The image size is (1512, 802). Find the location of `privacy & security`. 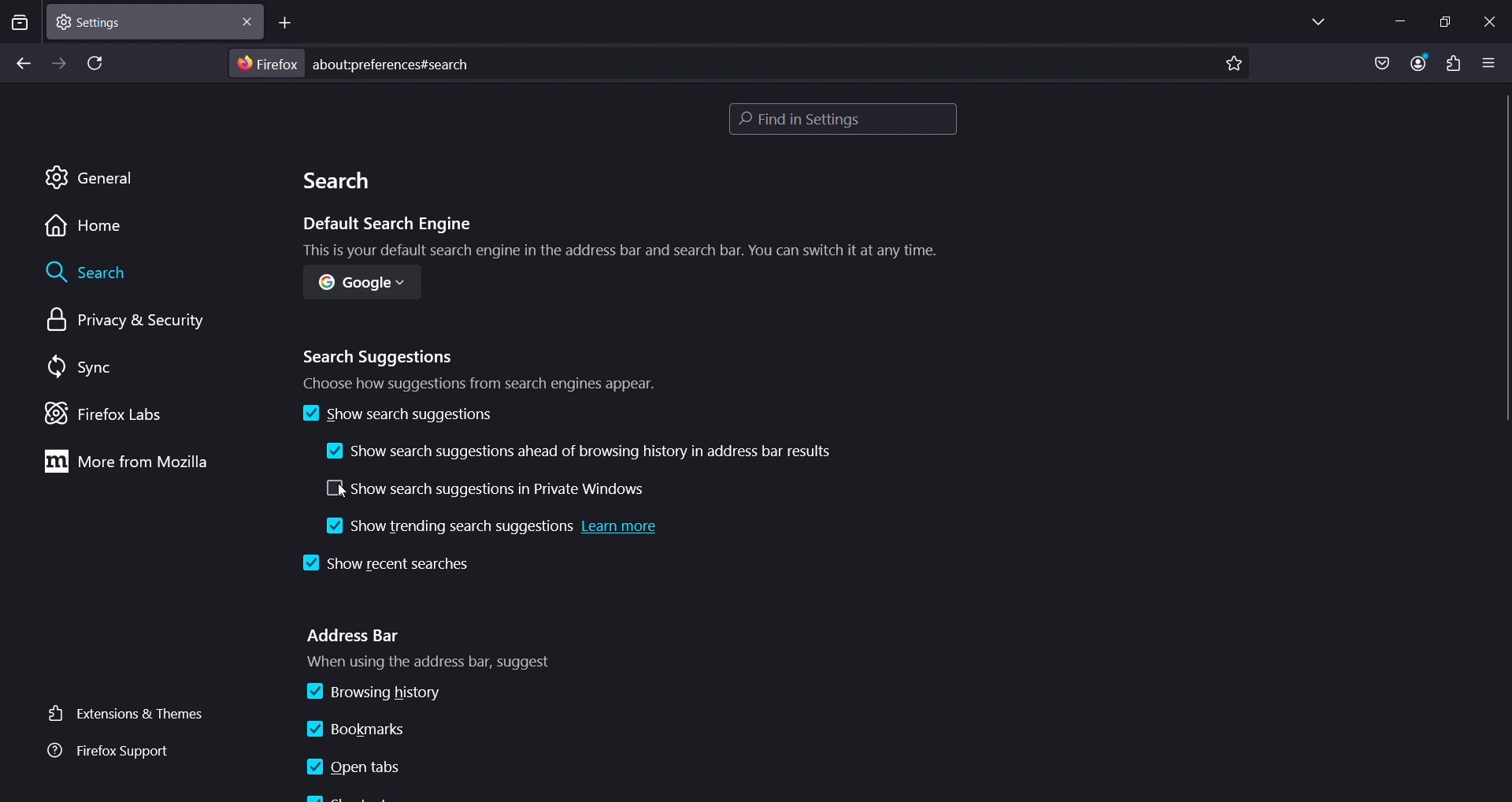

privacy & security is located at coordinates (120, 323).